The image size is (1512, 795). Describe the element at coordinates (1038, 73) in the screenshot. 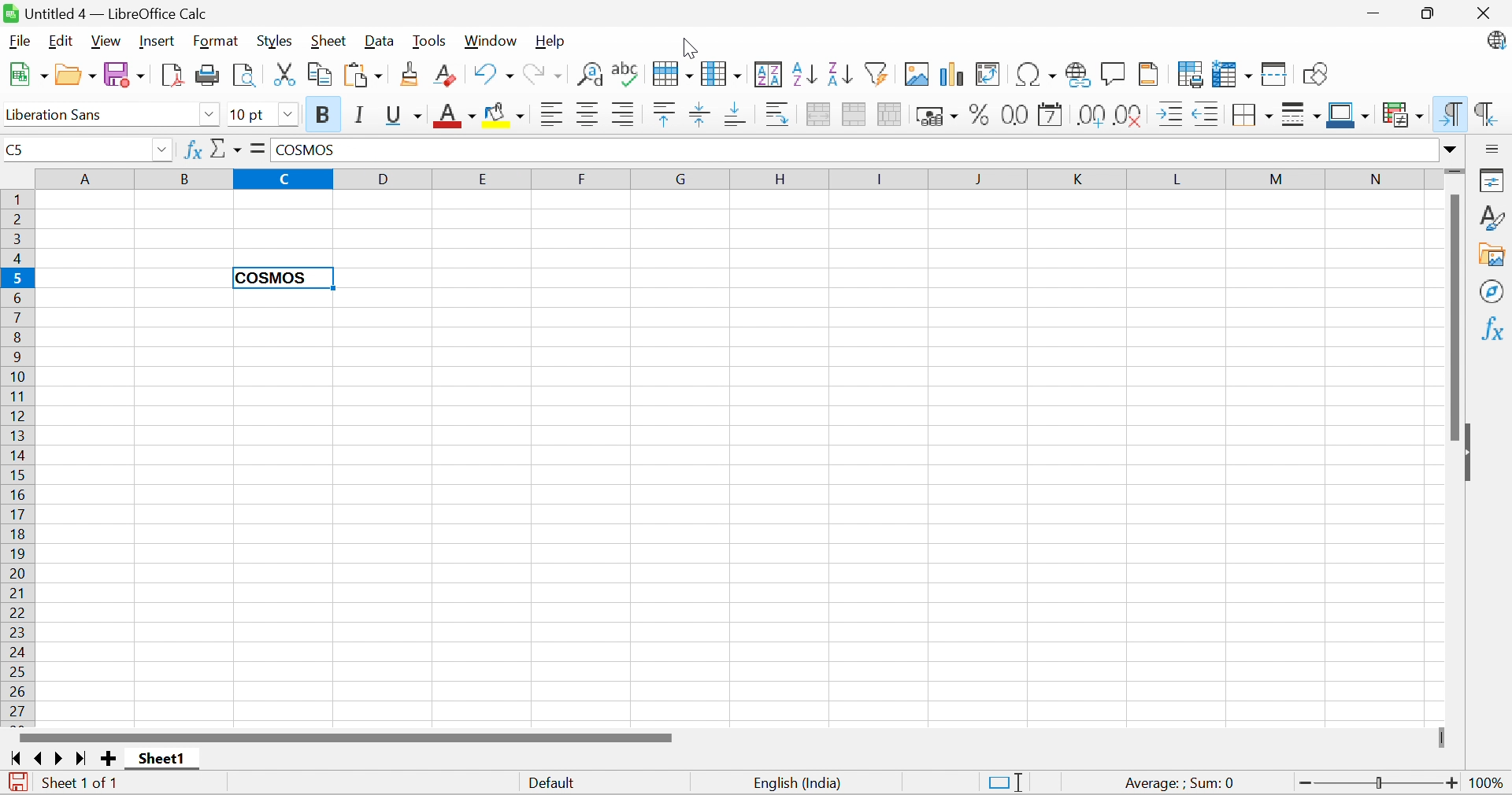

I see `Insert Special Characters` at that location.